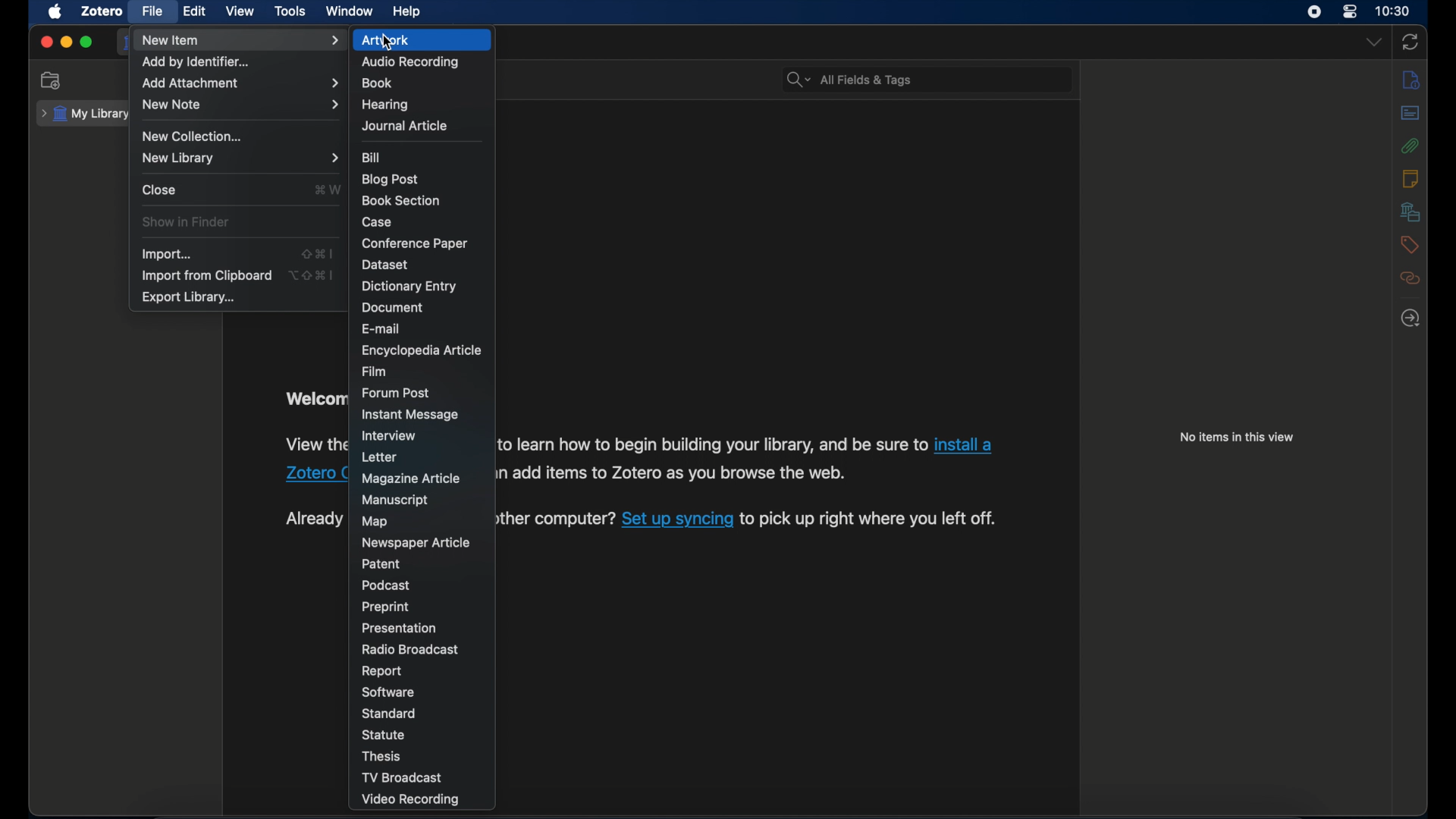  Describe the element at coordinates (557, 524) in the screenshot. I see `text` at that location.